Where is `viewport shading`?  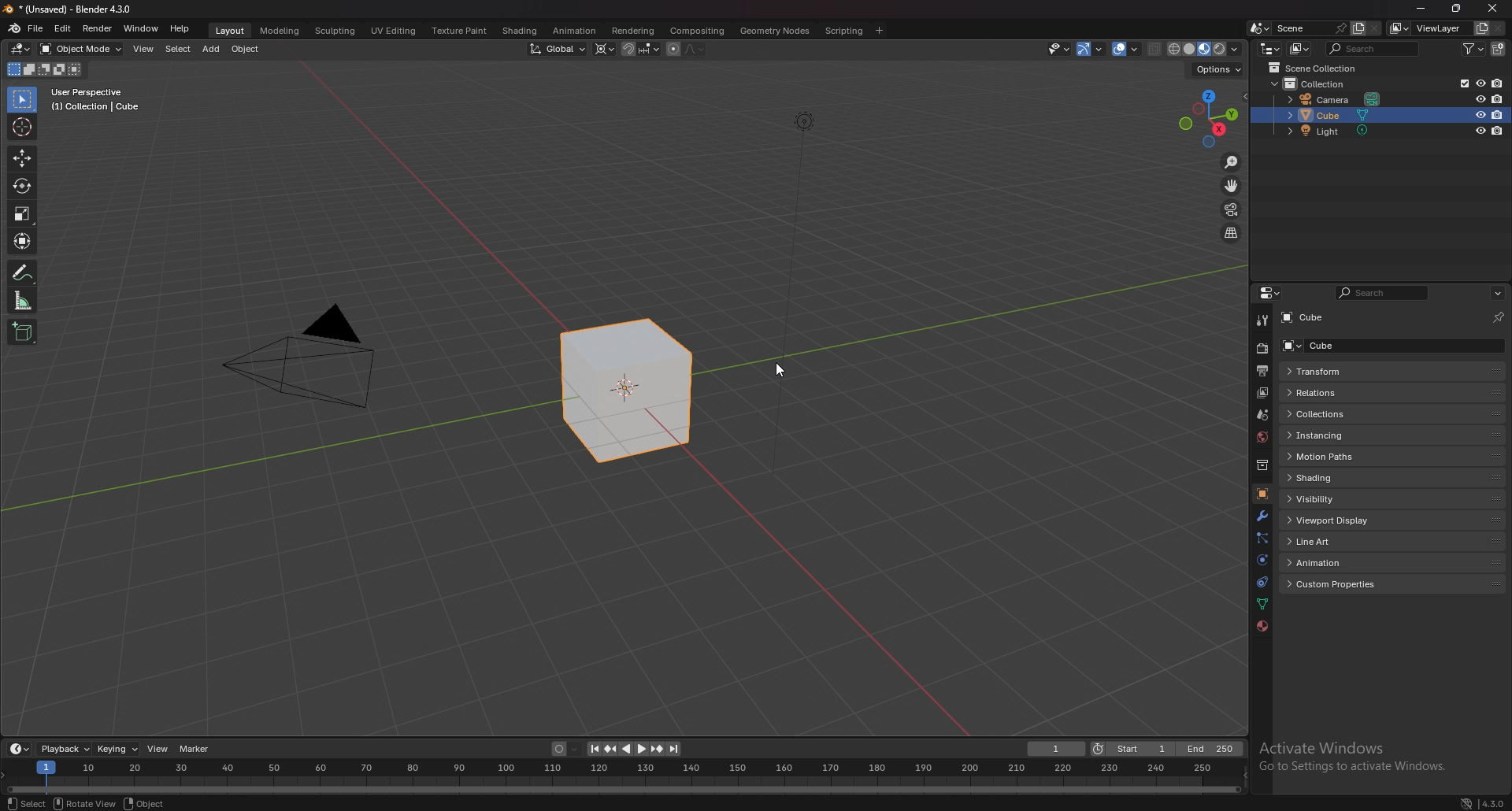 viewport shading is located at coordinates (1205, 50).